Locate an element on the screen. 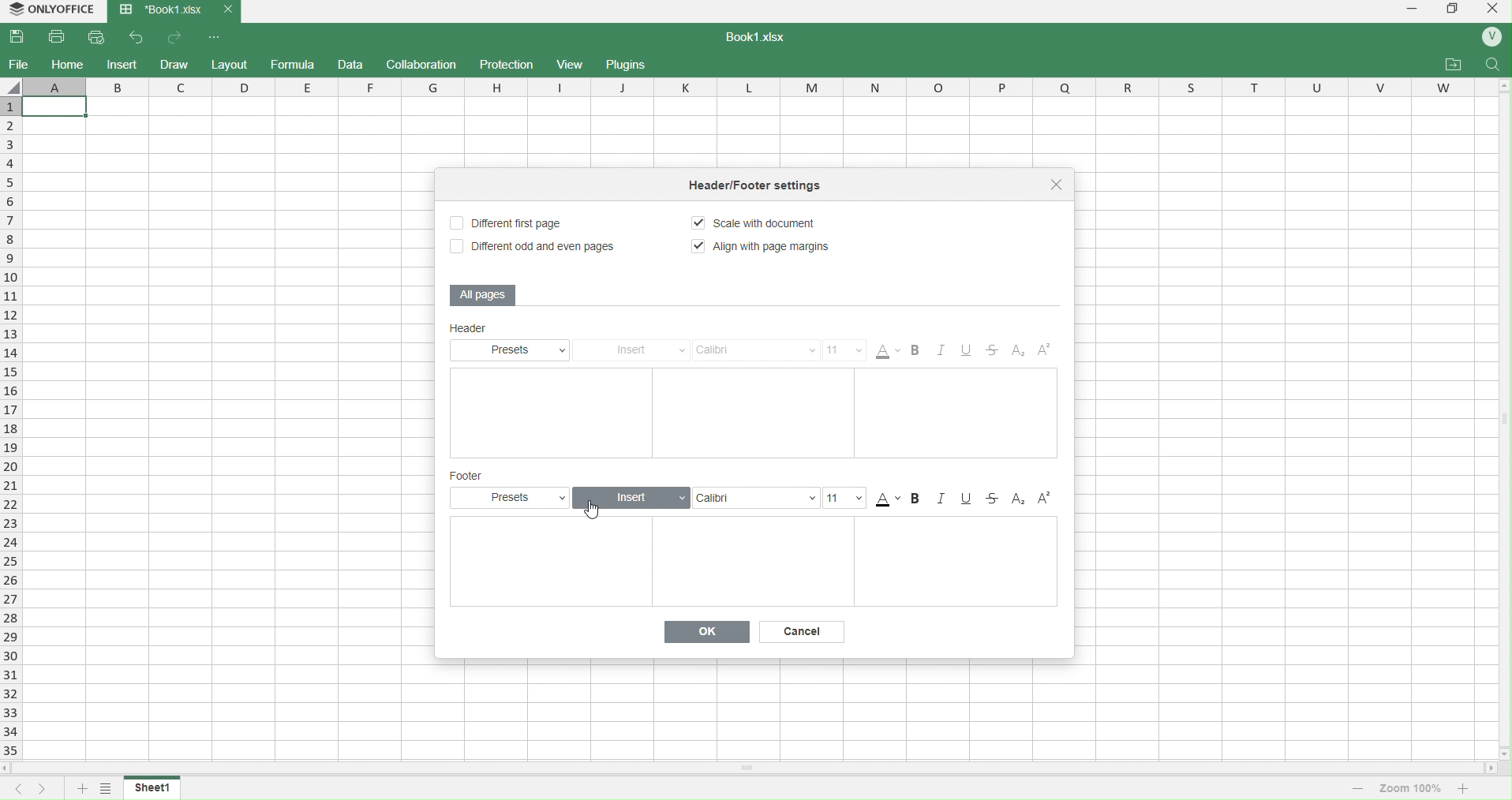  options is located at coordinates (216, 37).